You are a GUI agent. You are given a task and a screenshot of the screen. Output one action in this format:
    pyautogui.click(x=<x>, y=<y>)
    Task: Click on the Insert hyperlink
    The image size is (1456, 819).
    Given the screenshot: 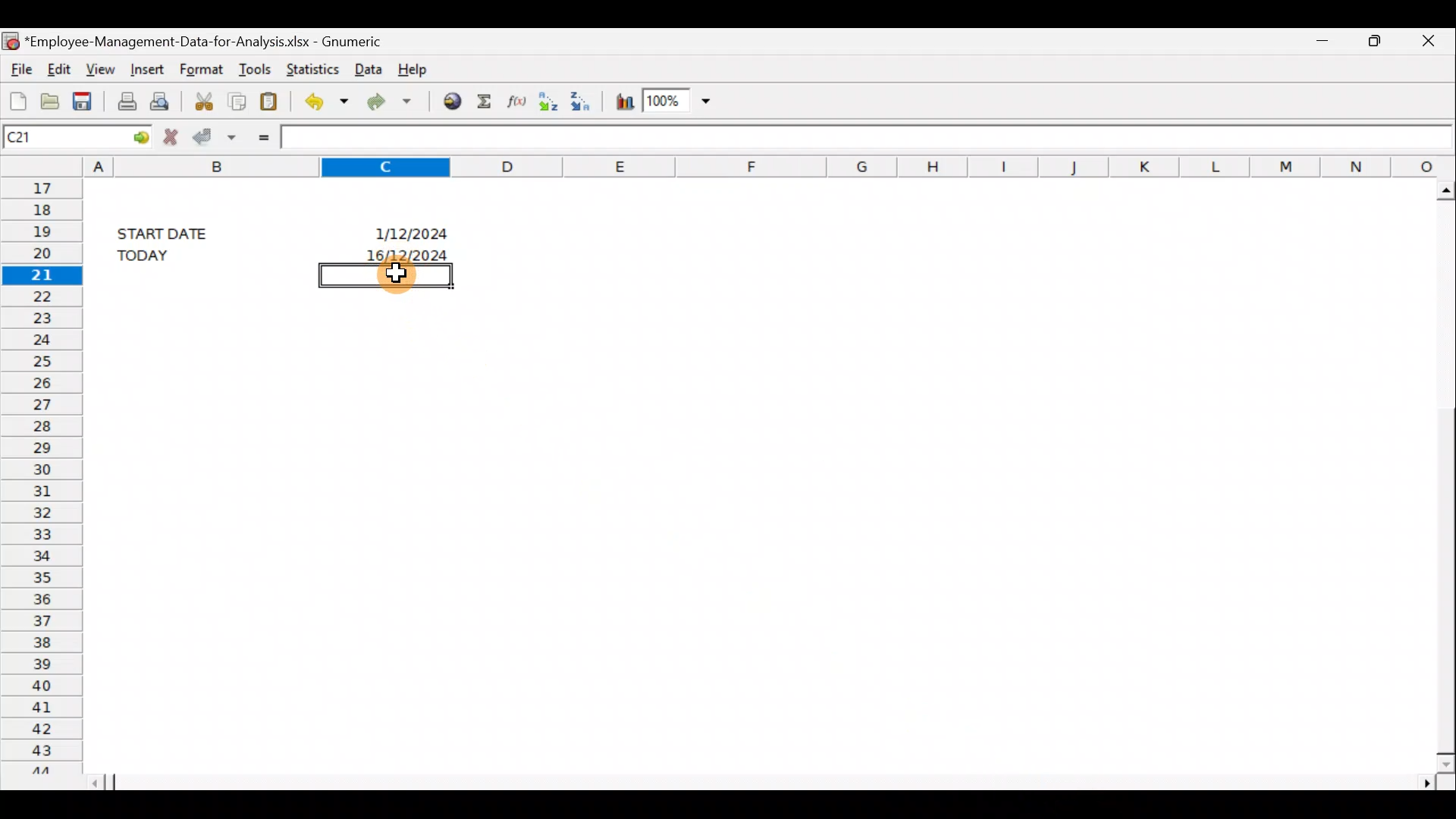 What is the action you would take?
    pyautogui.click(x=447, y=102)
    